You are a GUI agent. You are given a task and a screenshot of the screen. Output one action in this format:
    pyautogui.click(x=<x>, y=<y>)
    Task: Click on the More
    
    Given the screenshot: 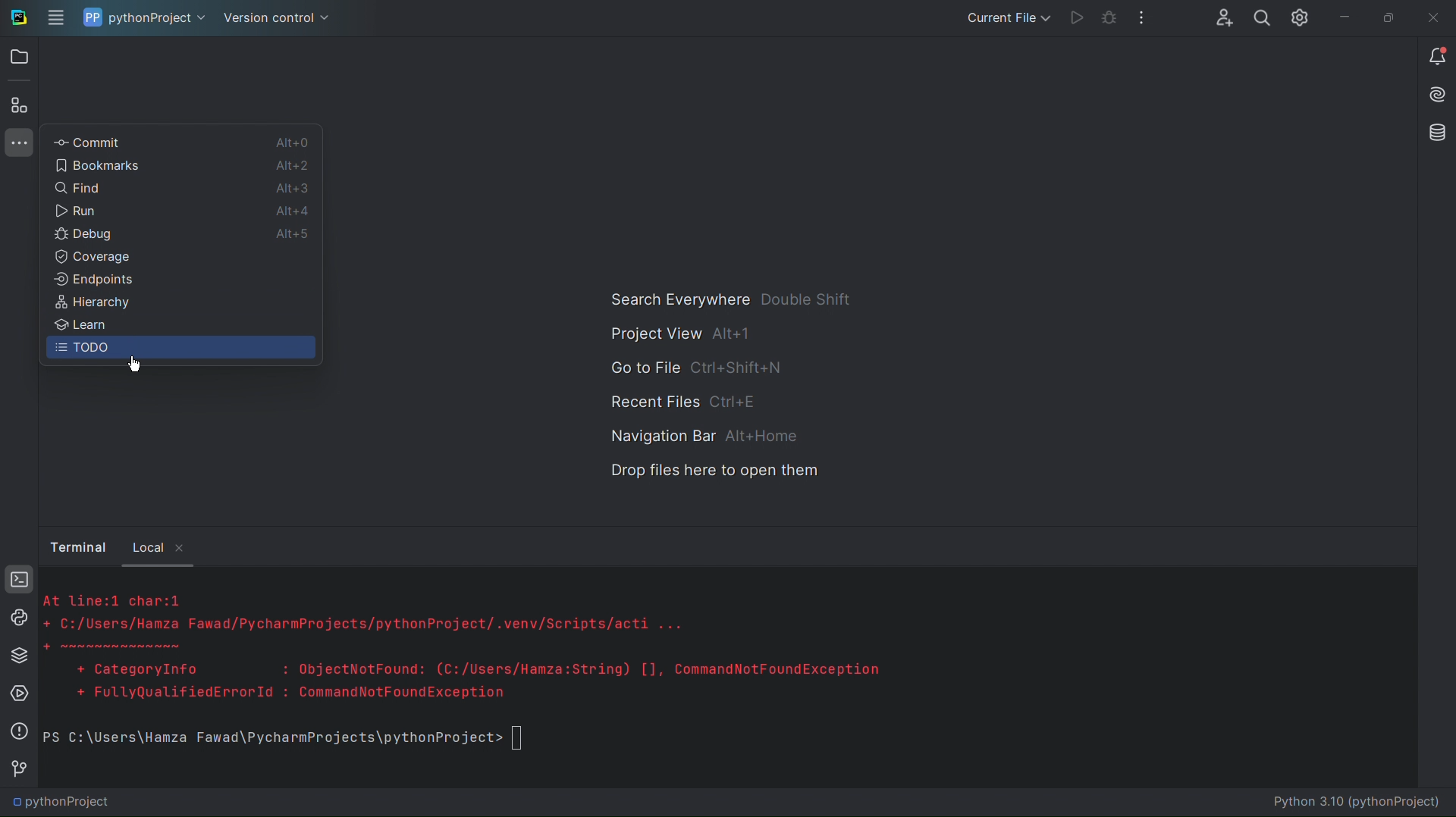 What is the action you would take?
    pyautogui.click(x=1143, y=19)
    